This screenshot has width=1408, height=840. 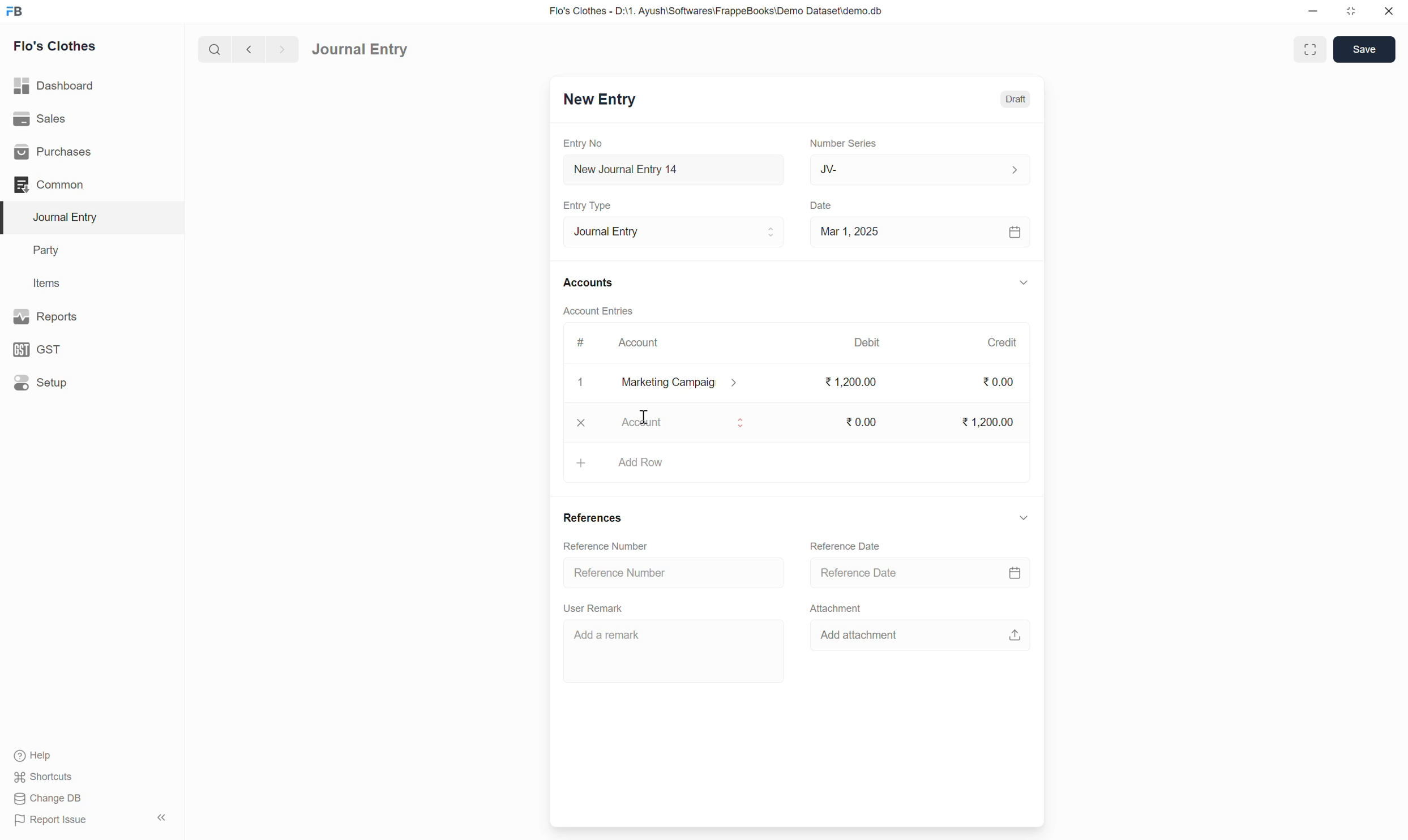 I want to click on New Journal Entry 14, so click(x=646, y=170).